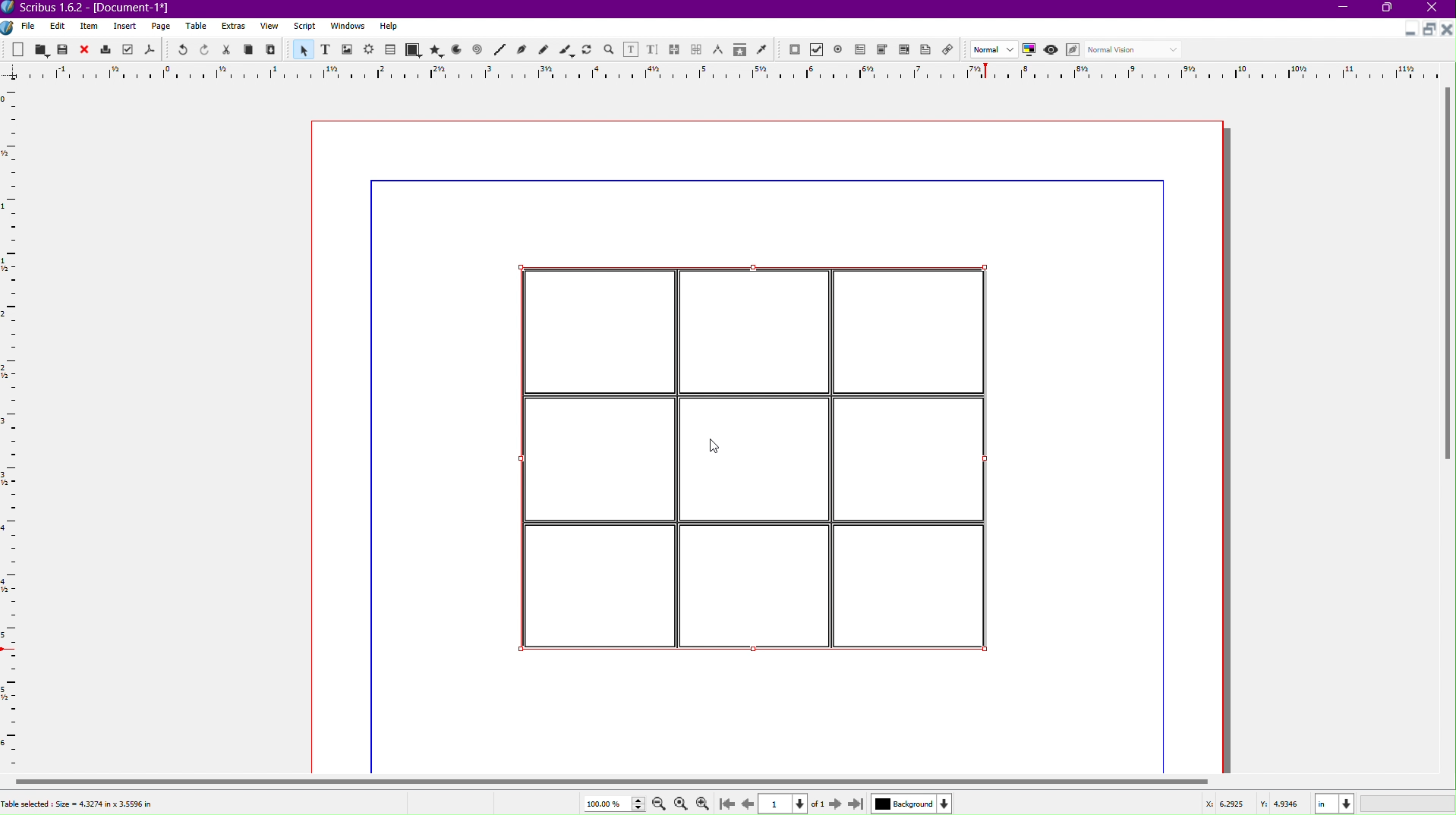 Image resolution: width=1456 pixels, height=815 pixels. I want to click on Freehand Line, so click(544, 49).